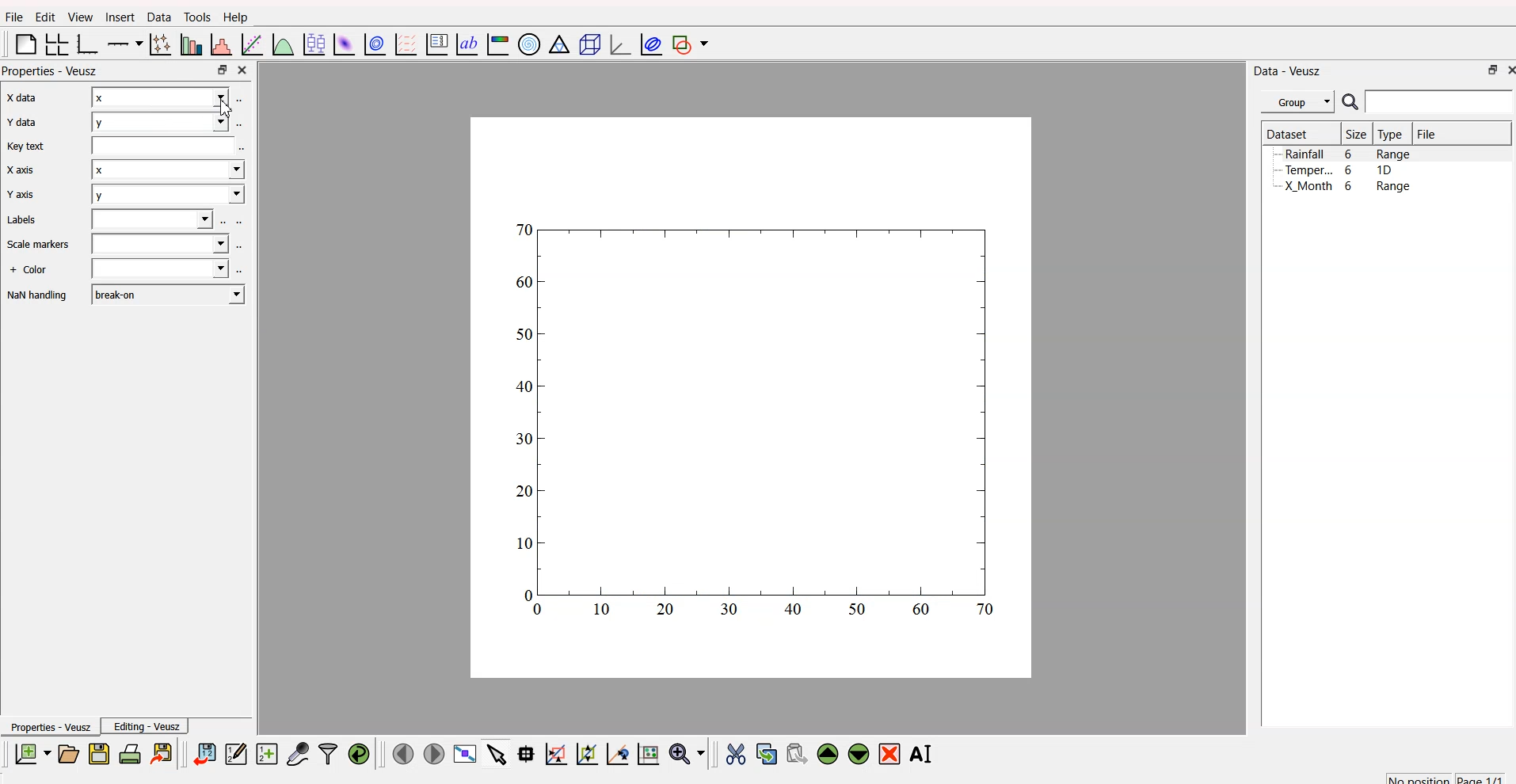 The width and height of the screenshot is (1516, 784). What do you see at coordinates (223, 45) in the screenshot?
I see `histogram of dataset` at bounding box center [223, 45].